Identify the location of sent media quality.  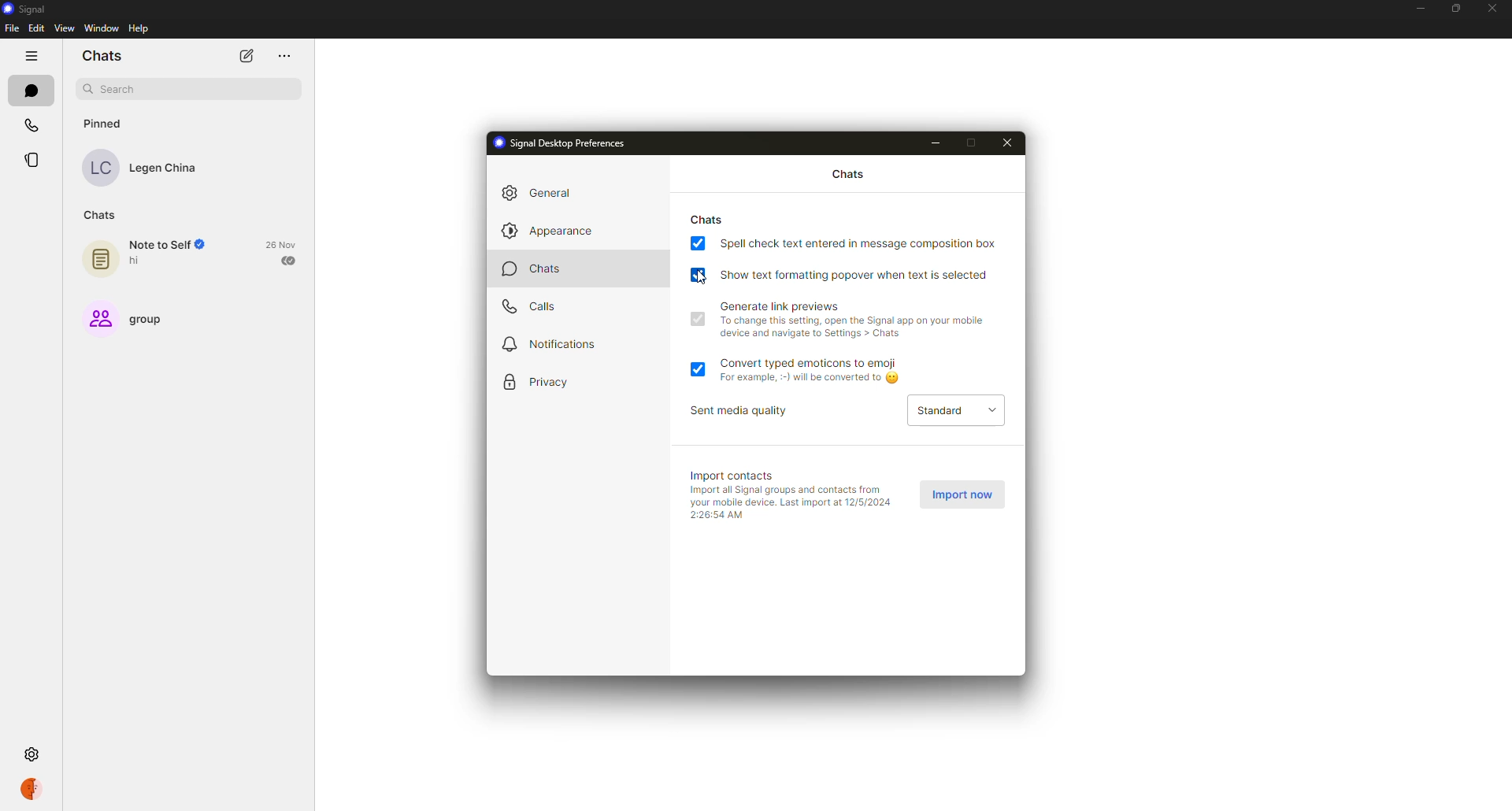
(743, 410).